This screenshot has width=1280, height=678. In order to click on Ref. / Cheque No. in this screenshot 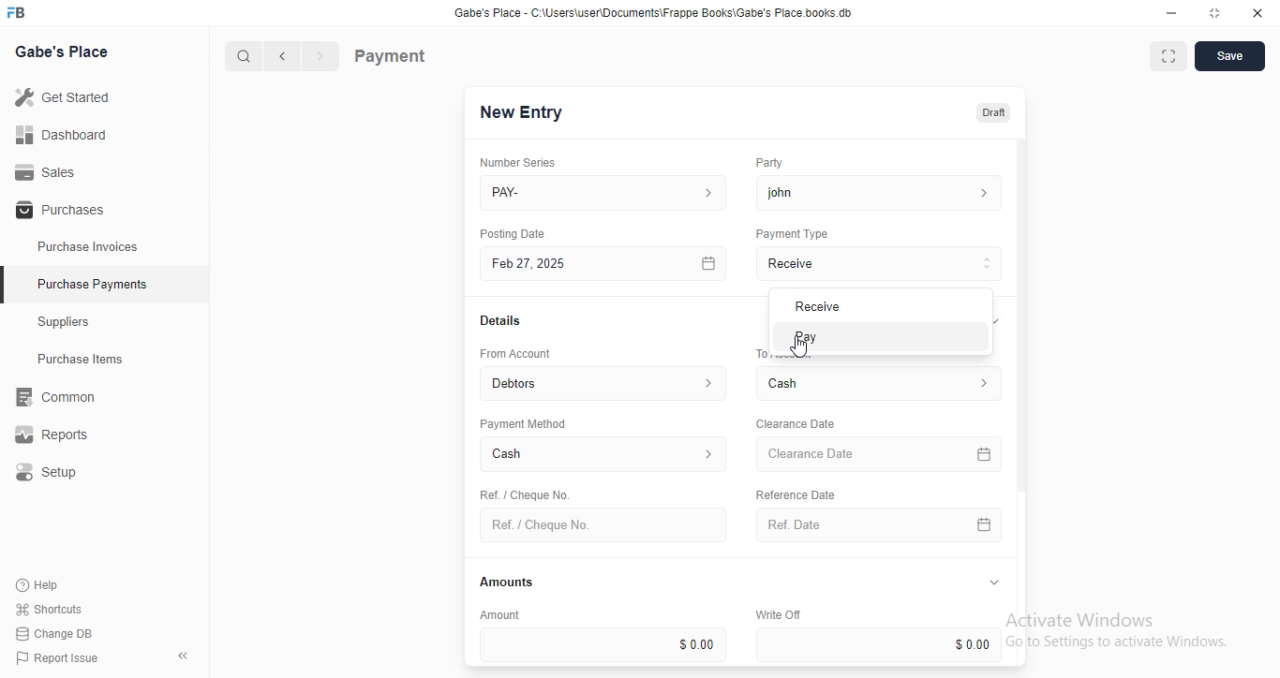, I will do `click(602, 525)`.